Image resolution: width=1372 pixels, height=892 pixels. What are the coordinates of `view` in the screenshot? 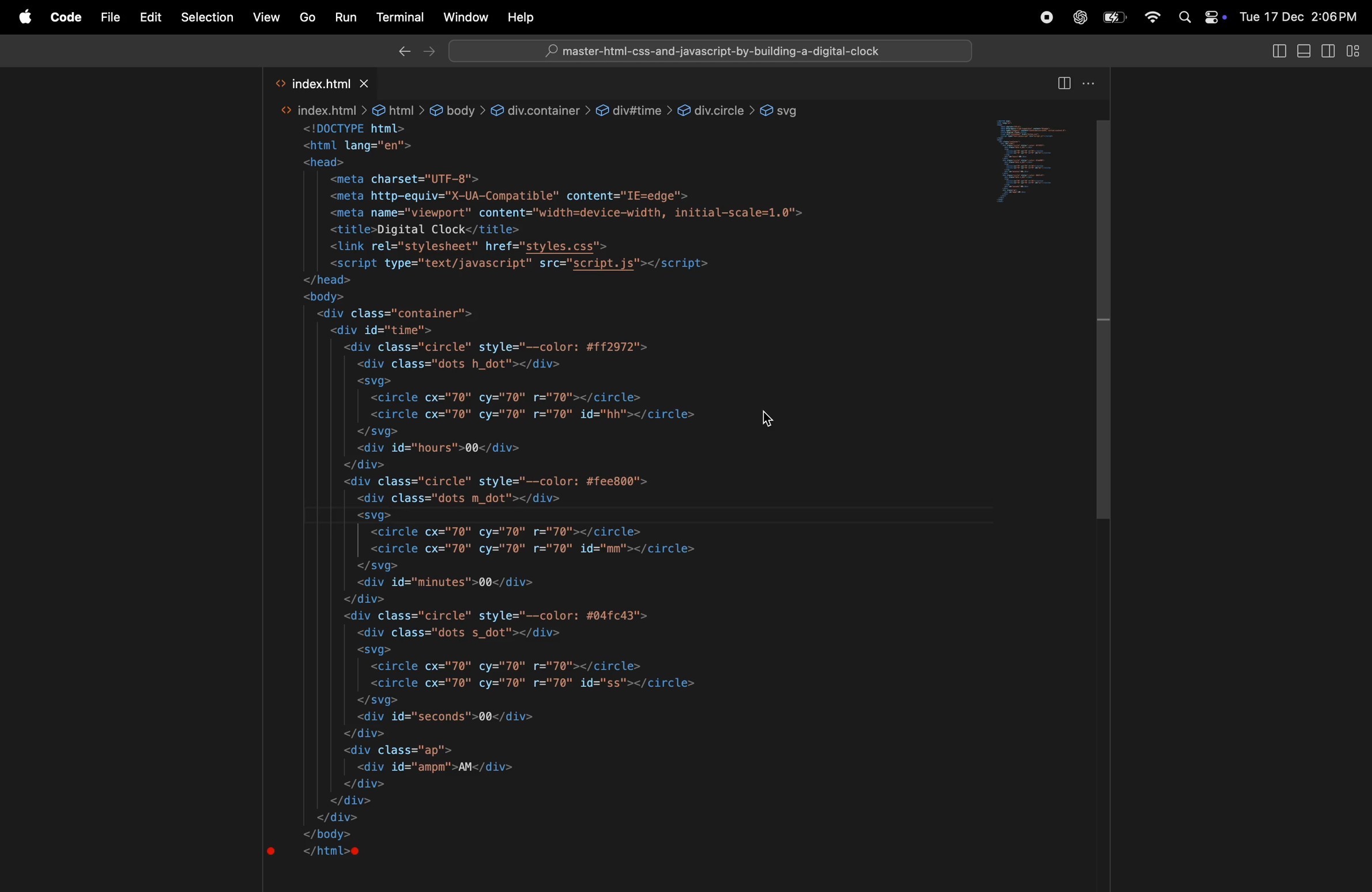 It's located at (268, 17).